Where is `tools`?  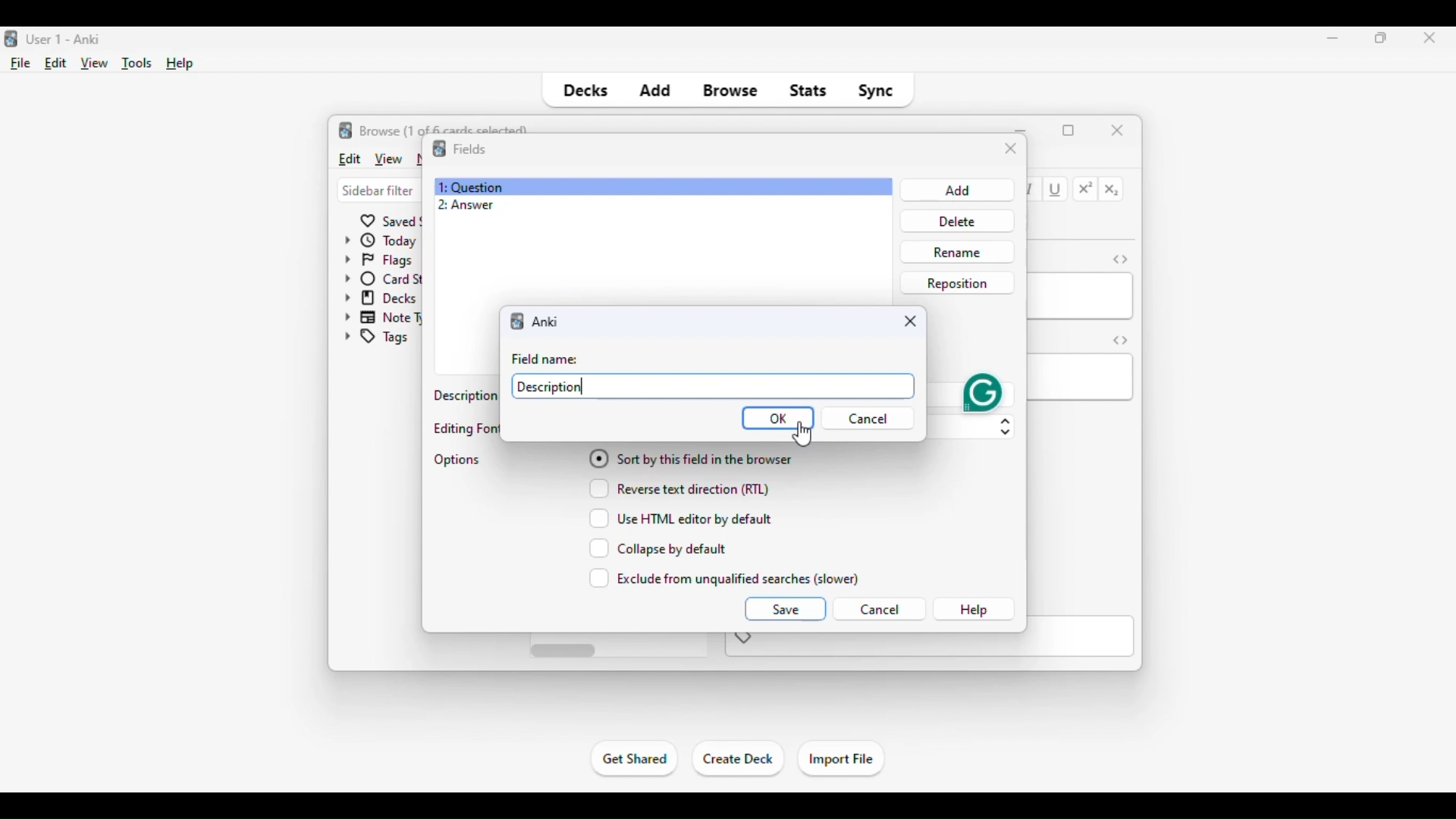
tools is located at coordinates (138, 64).